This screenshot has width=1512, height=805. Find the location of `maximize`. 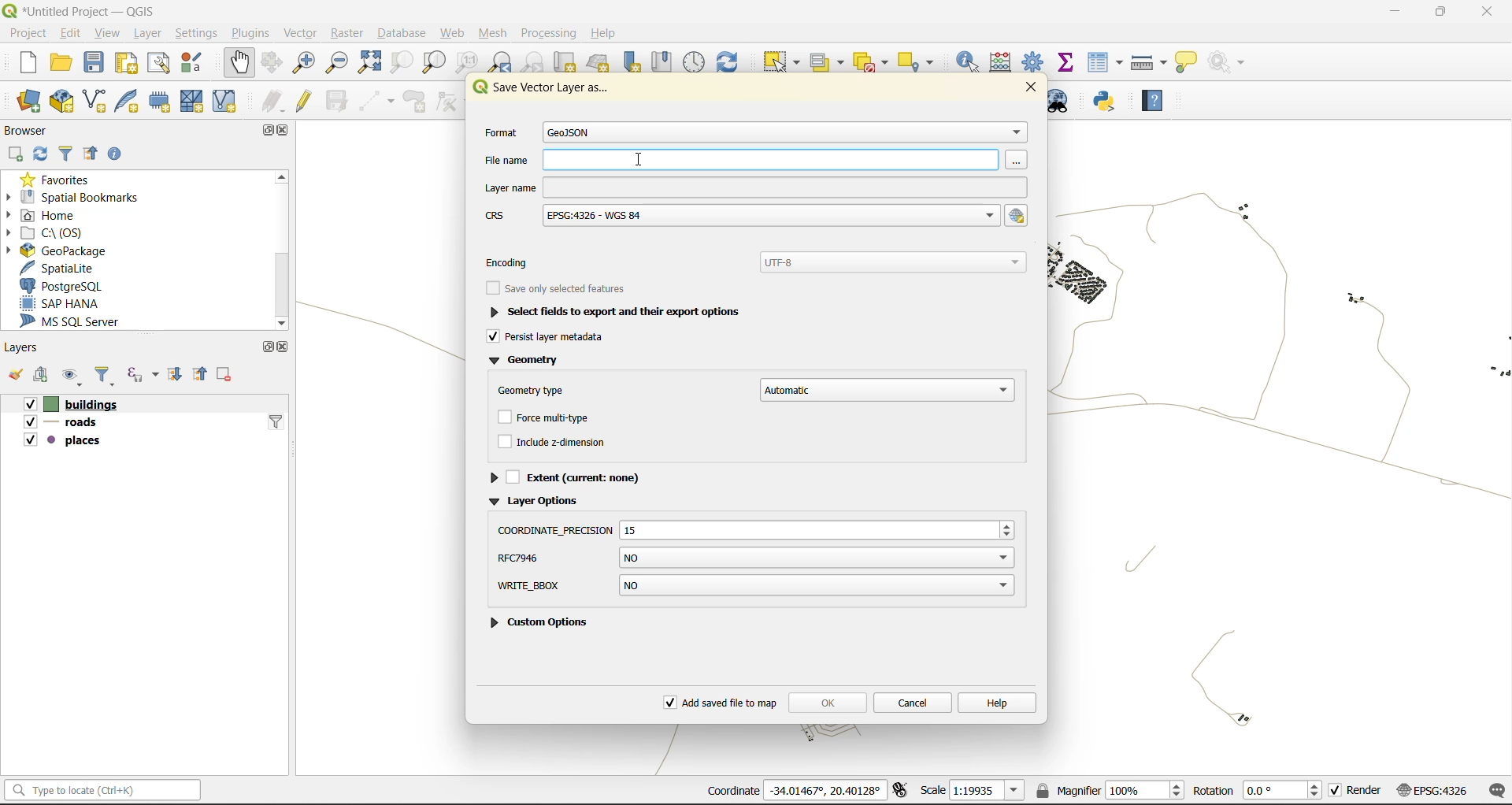

maximize is located at coordinates (1438, 14).